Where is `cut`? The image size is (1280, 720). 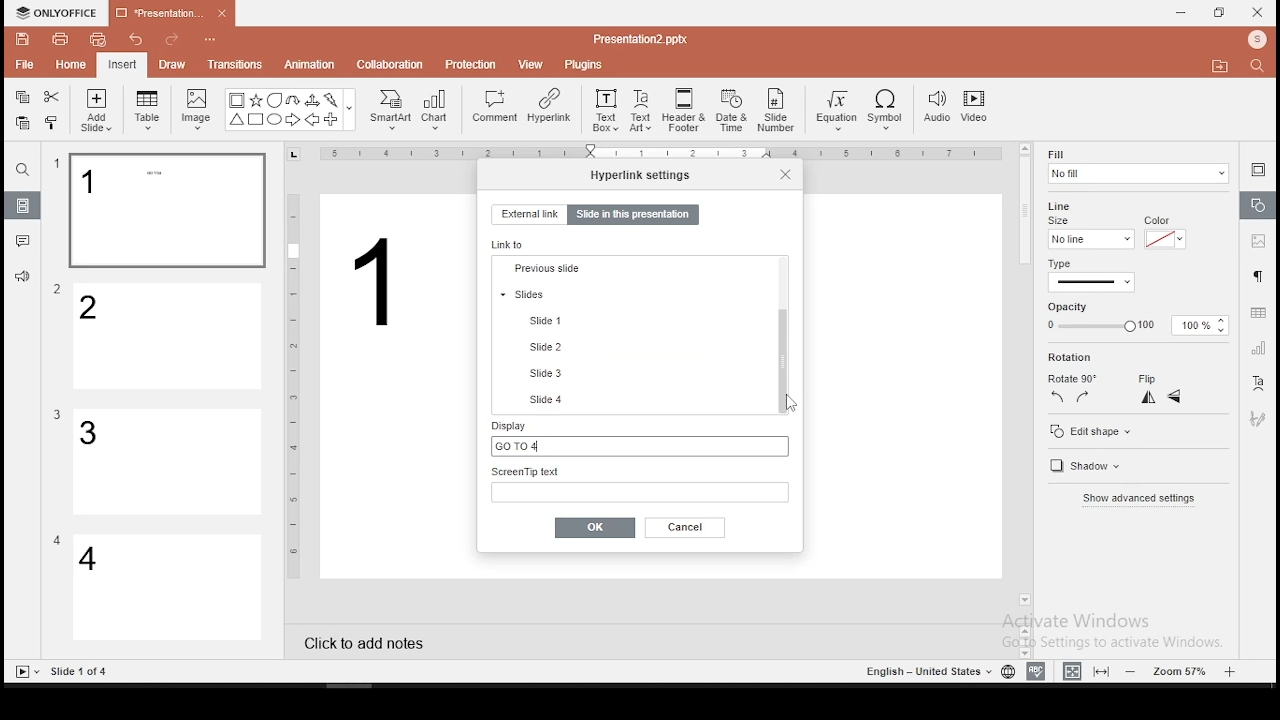
cut is located at coordinates (52, 96).